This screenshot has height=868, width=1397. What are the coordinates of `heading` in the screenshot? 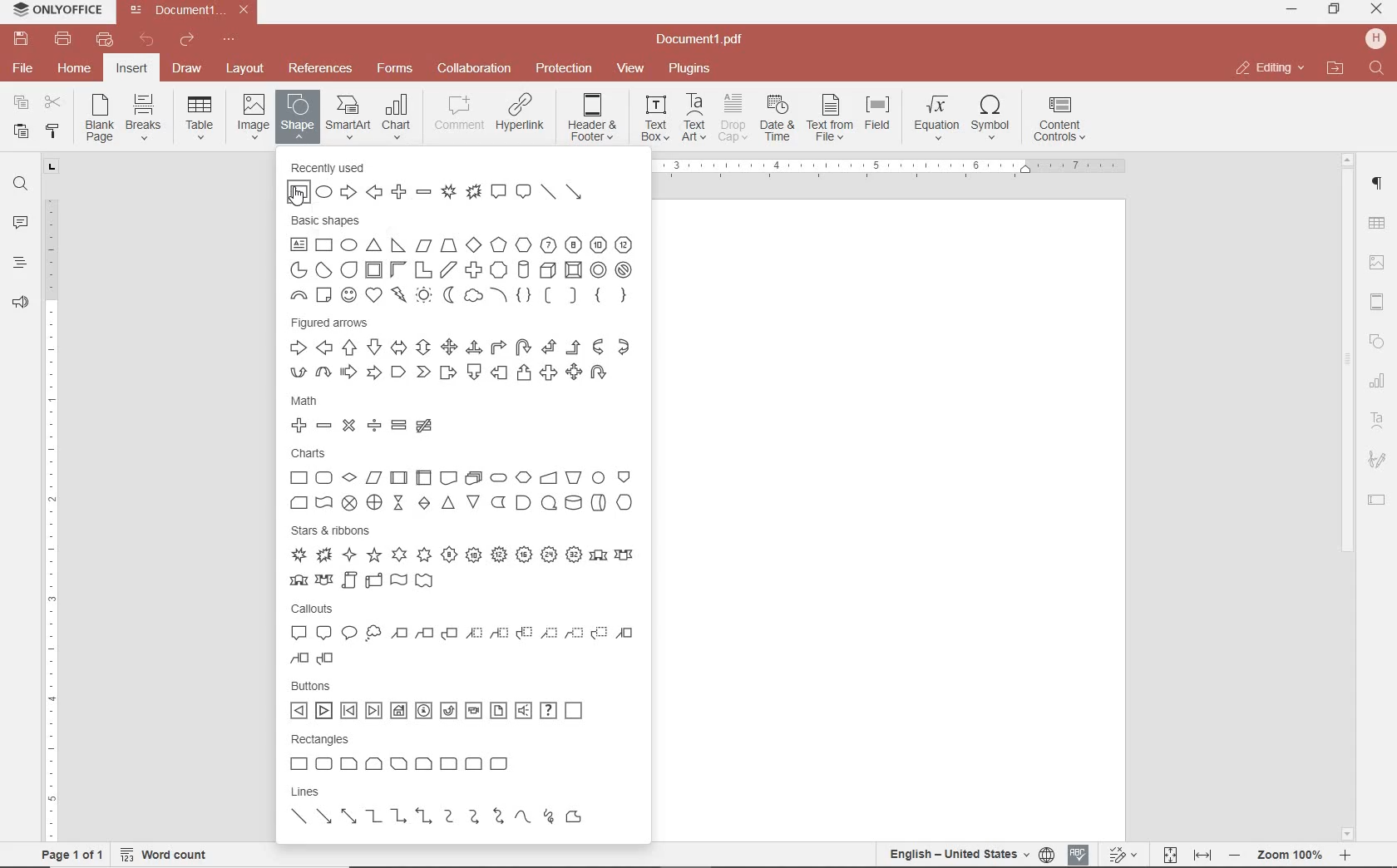 It's located at (20, 262).